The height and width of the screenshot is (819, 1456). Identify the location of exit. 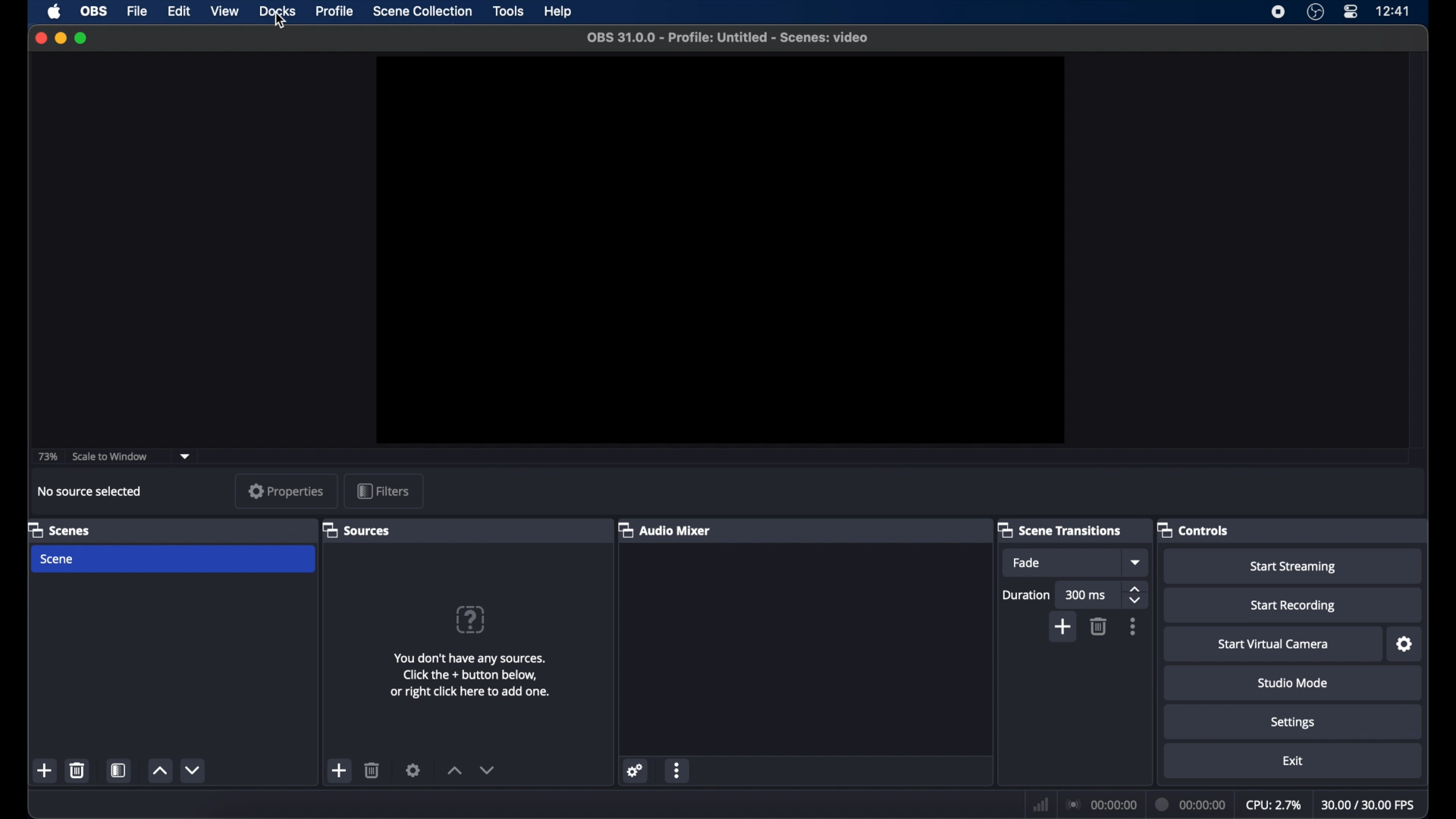
(1293, 762).